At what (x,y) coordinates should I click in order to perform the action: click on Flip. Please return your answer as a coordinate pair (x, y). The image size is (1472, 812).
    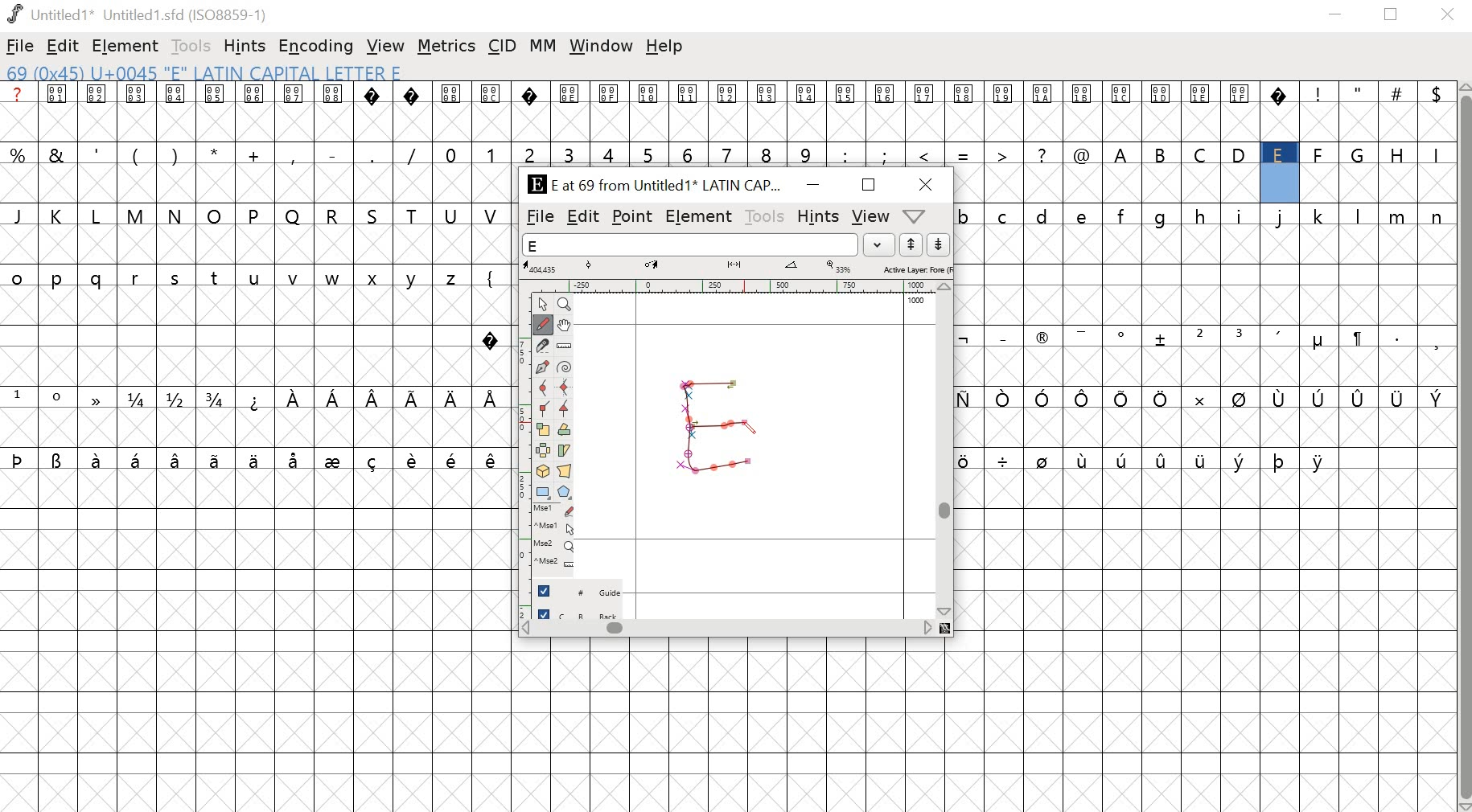
    Looking at the image, I should click on (543, 451).